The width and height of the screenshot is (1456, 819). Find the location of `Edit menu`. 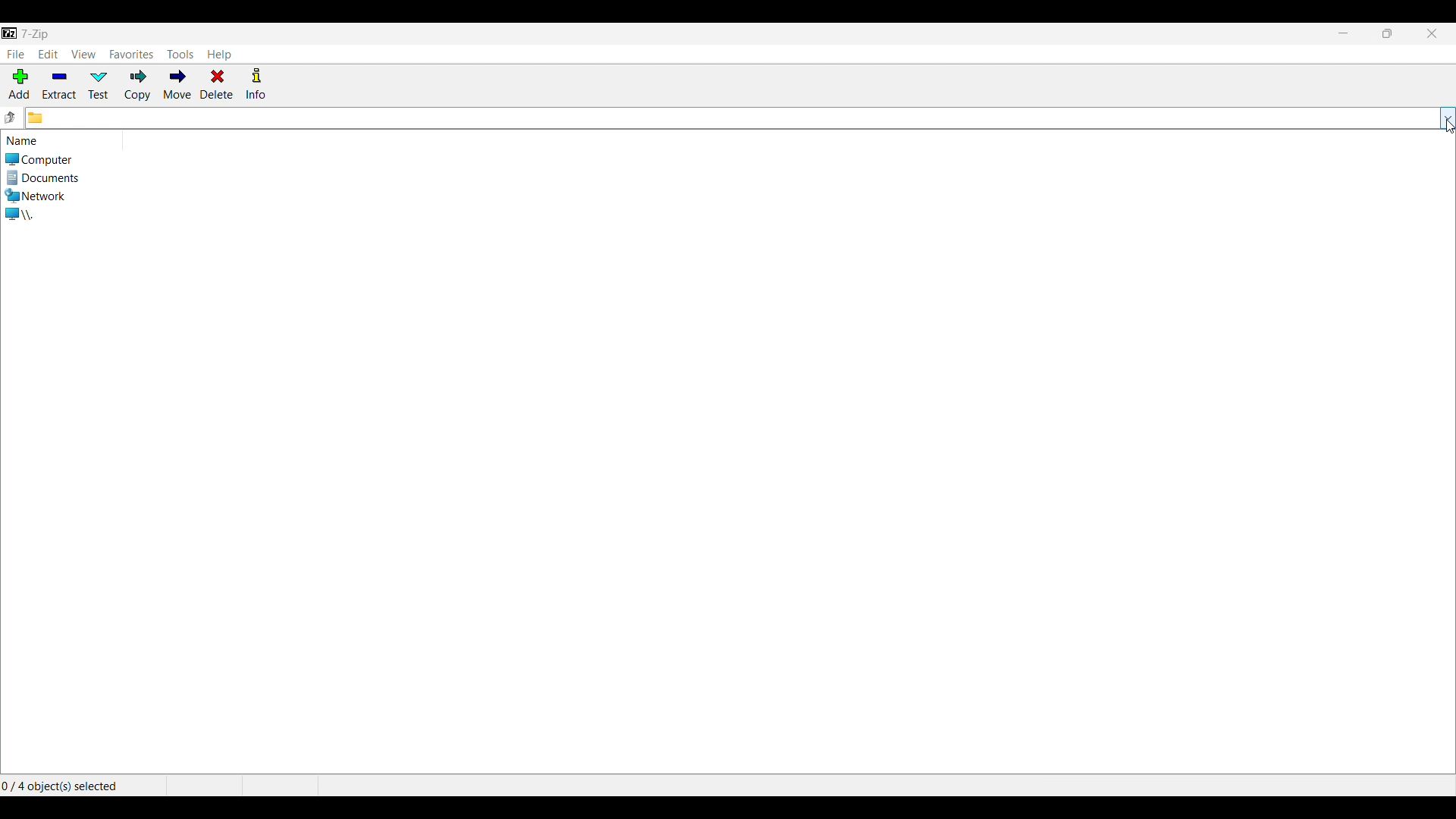

Edit menu is located at coordinates (48, 54).